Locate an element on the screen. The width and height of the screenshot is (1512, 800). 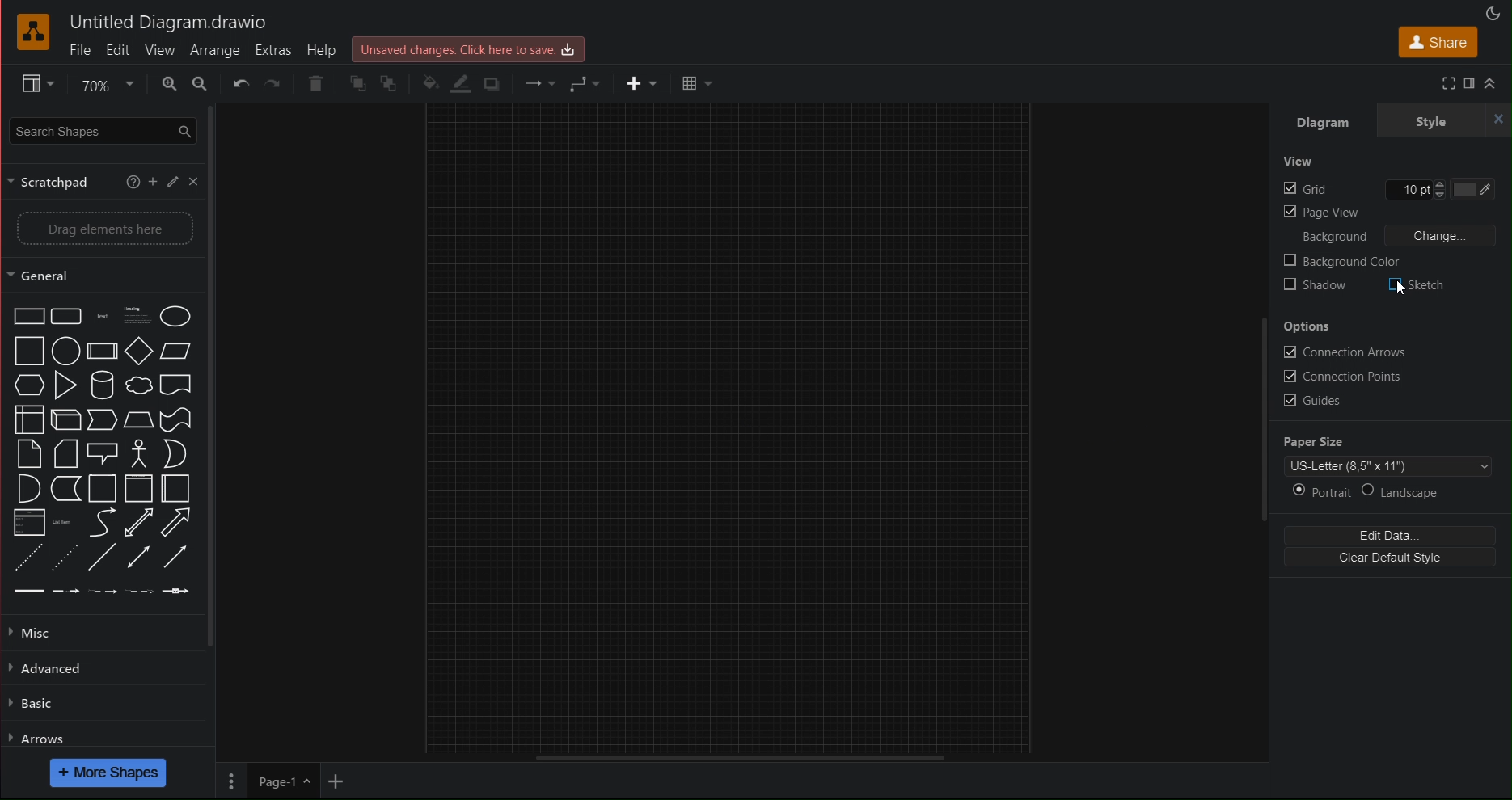
Line Color is located at coordinates (458, 83).